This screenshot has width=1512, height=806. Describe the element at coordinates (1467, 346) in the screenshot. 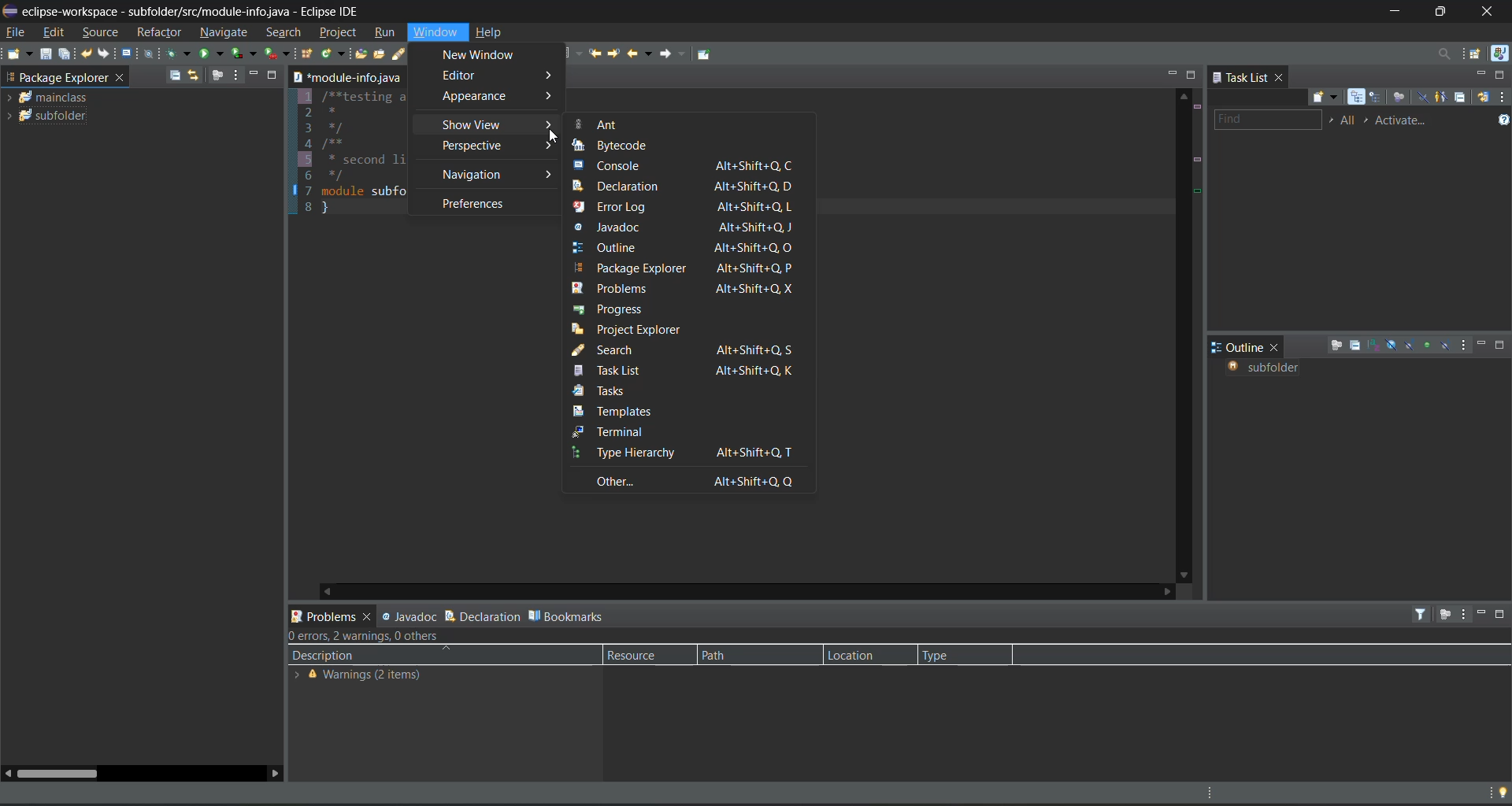

I see `view menu` at that location.